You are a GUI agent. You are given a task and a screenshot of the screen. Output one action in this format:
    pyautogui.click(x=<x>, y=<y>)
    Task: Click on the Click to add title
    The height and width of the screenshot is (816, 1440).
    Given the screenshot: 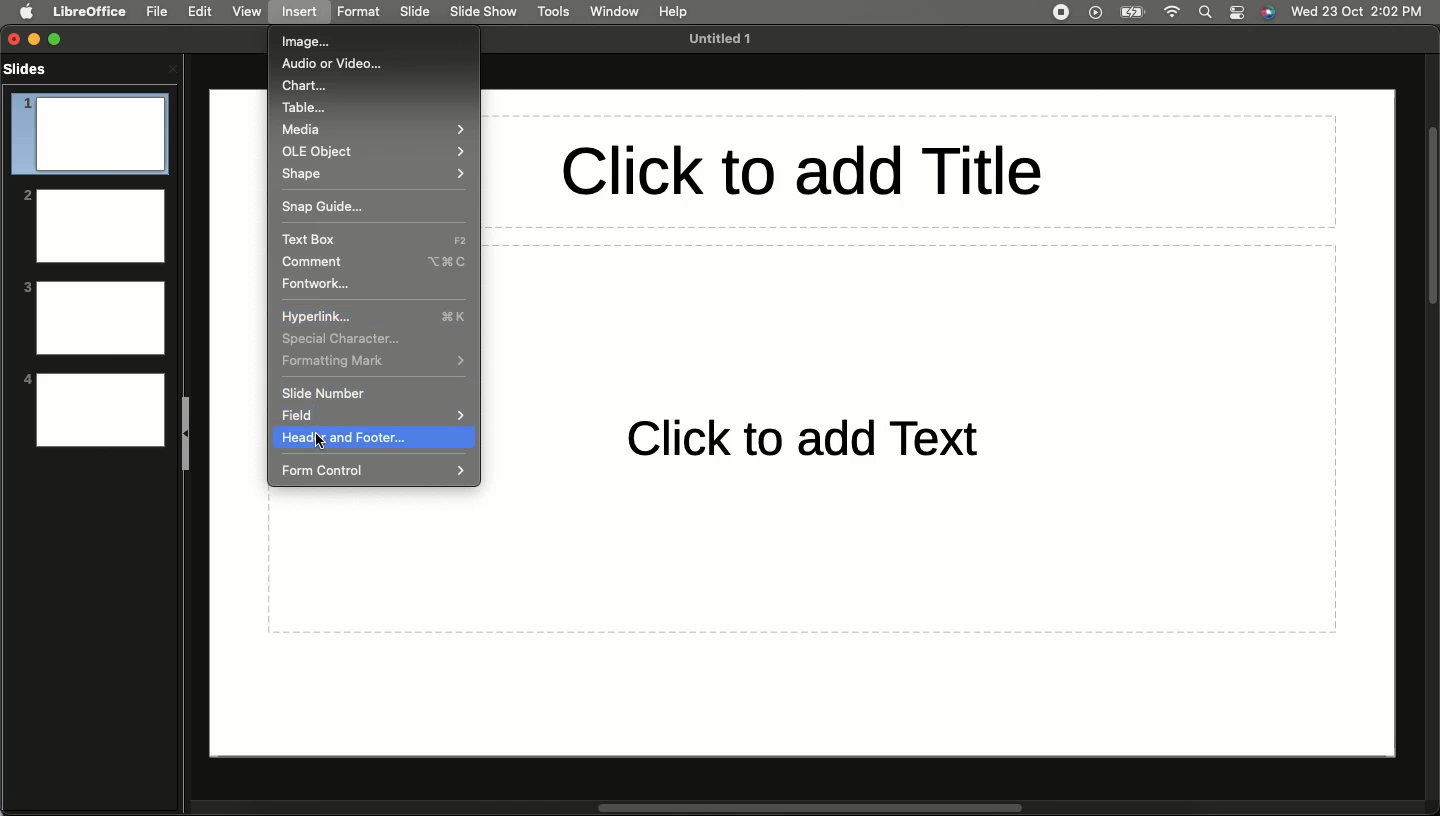 What is the action you would take?
    pyautogui.click(x=909, y=171)
    